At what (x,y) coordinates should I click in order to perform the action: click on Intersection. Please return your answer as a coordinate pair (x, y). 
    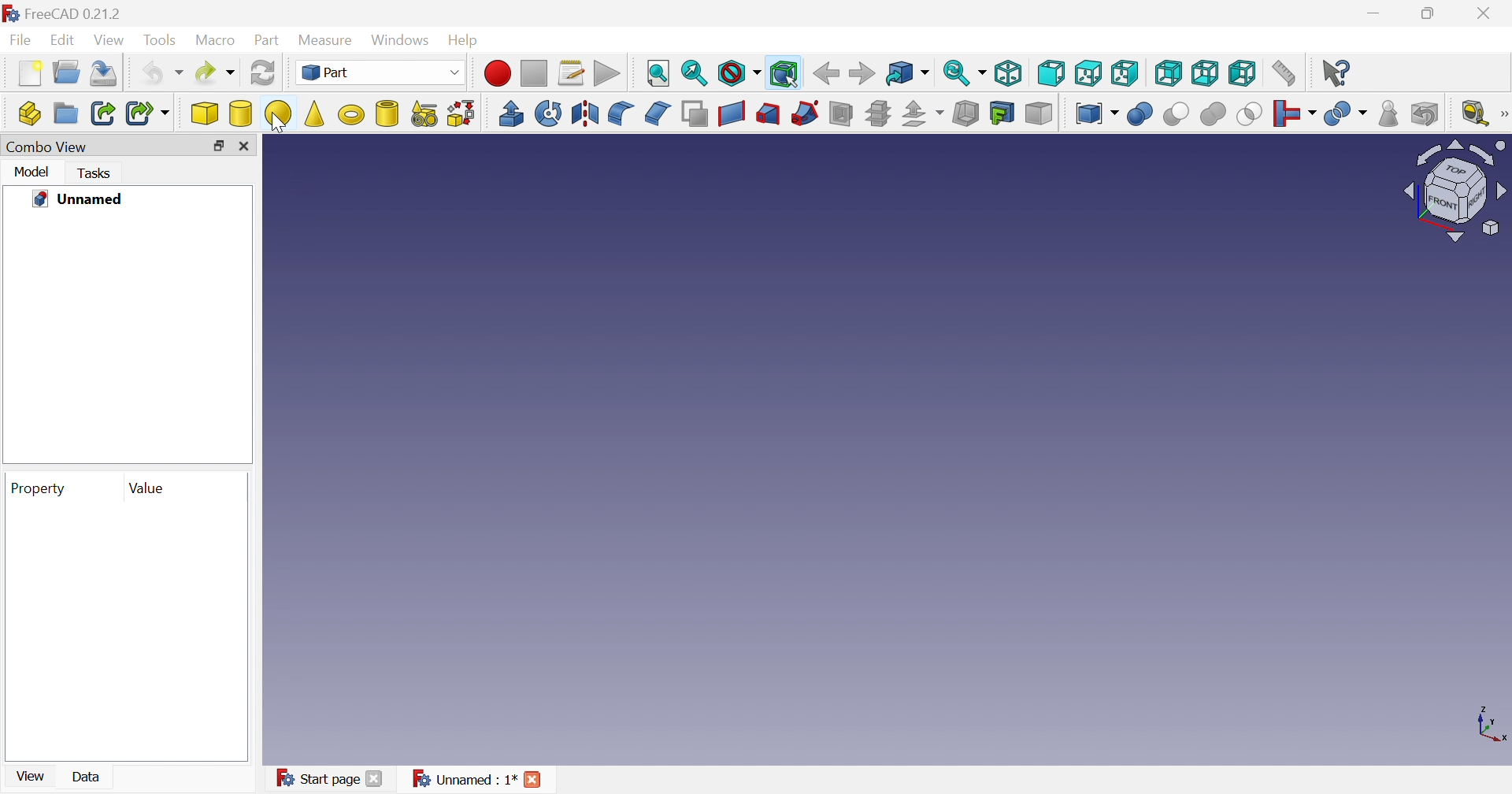
    Looking at the image, I should click on (1250, 114).